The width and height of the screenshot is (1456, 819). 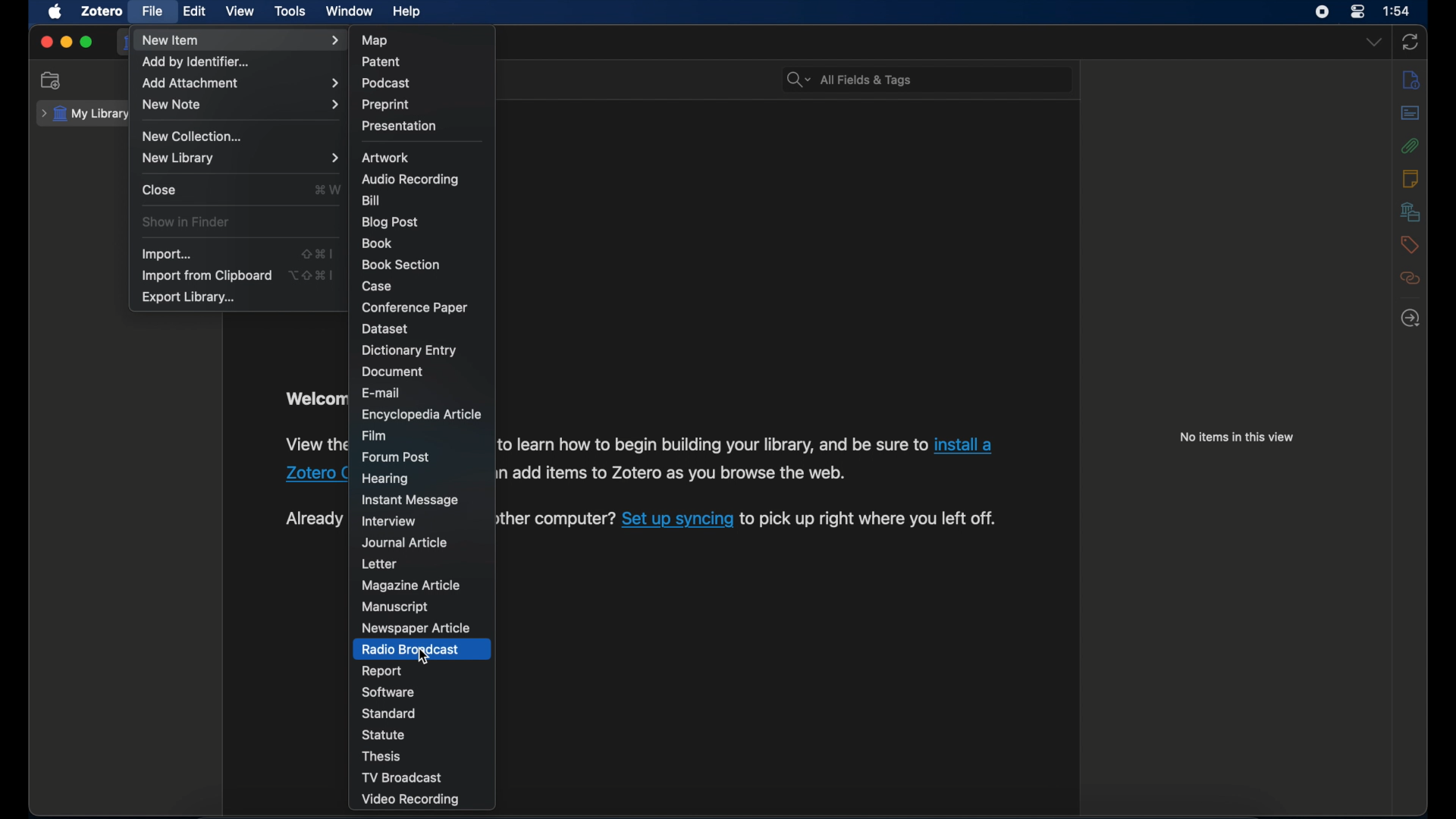 What do you see at coordinates (1410, 318) in the screenshot?
I see `locate` at bounding box center [1410, 318].